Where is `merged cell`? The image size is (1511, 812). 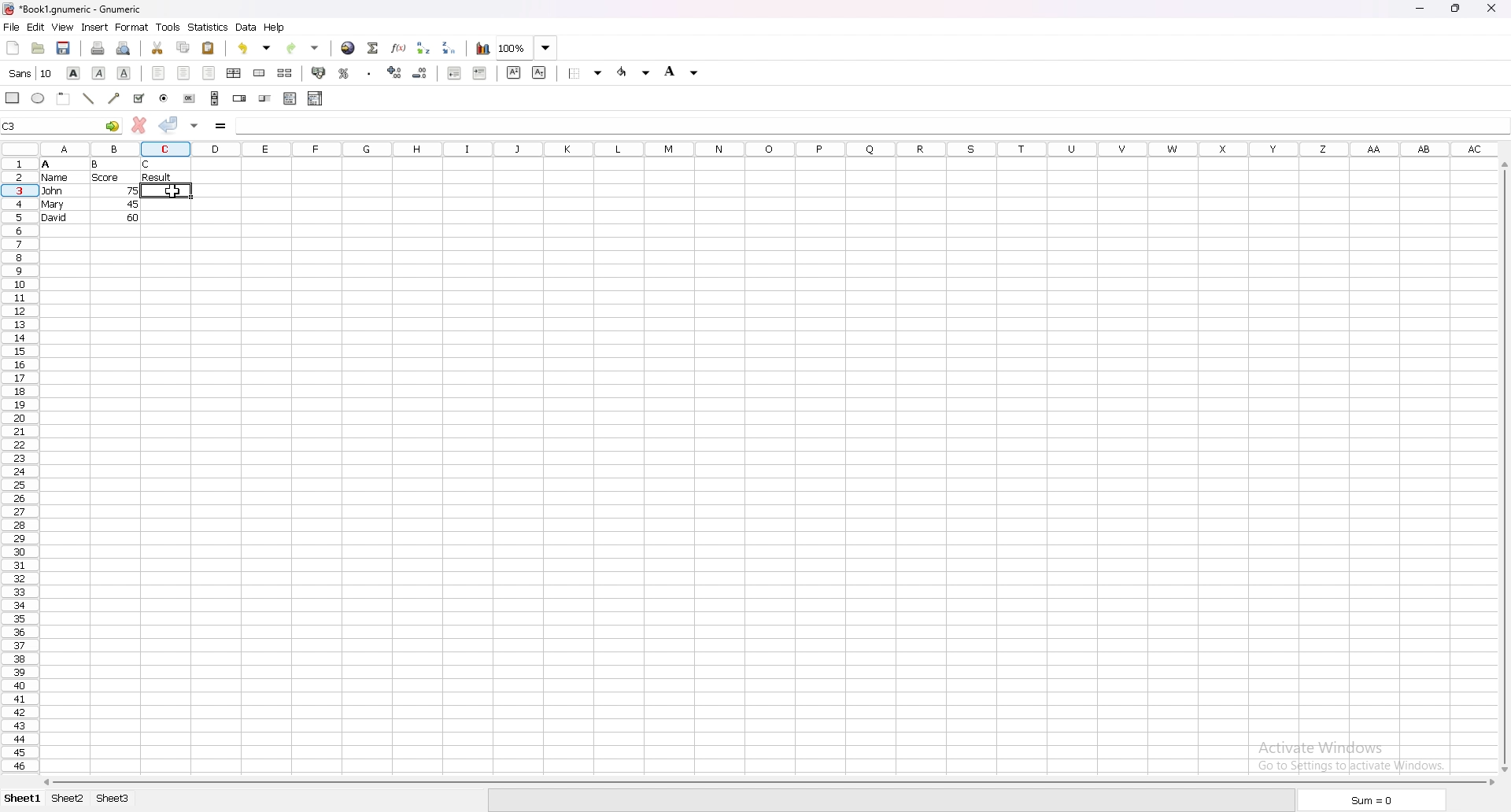 merged cell is located at coordinates (259, 74).